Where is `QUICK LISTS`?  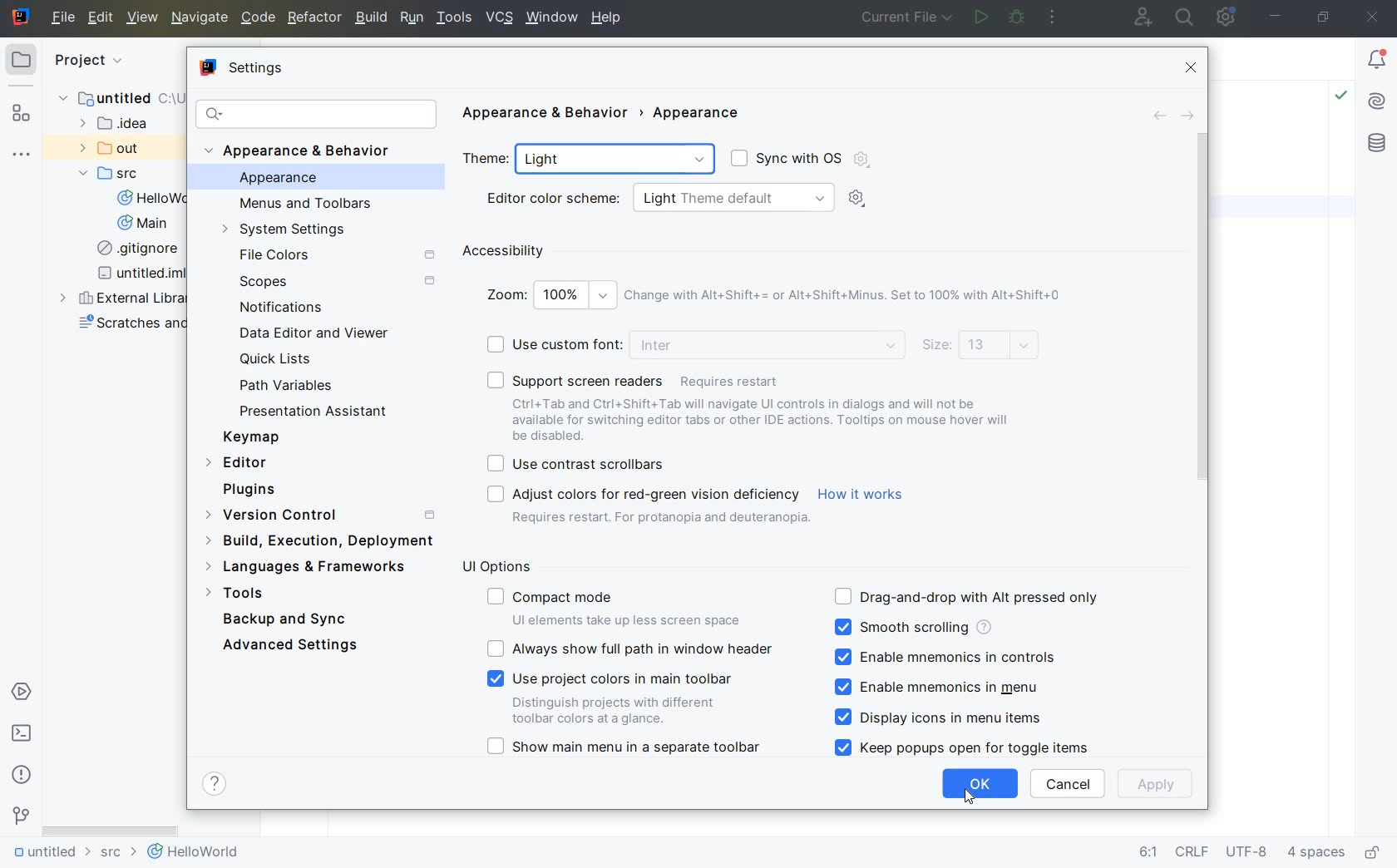
QUICK LISTS is located at coordinates (284, 359).